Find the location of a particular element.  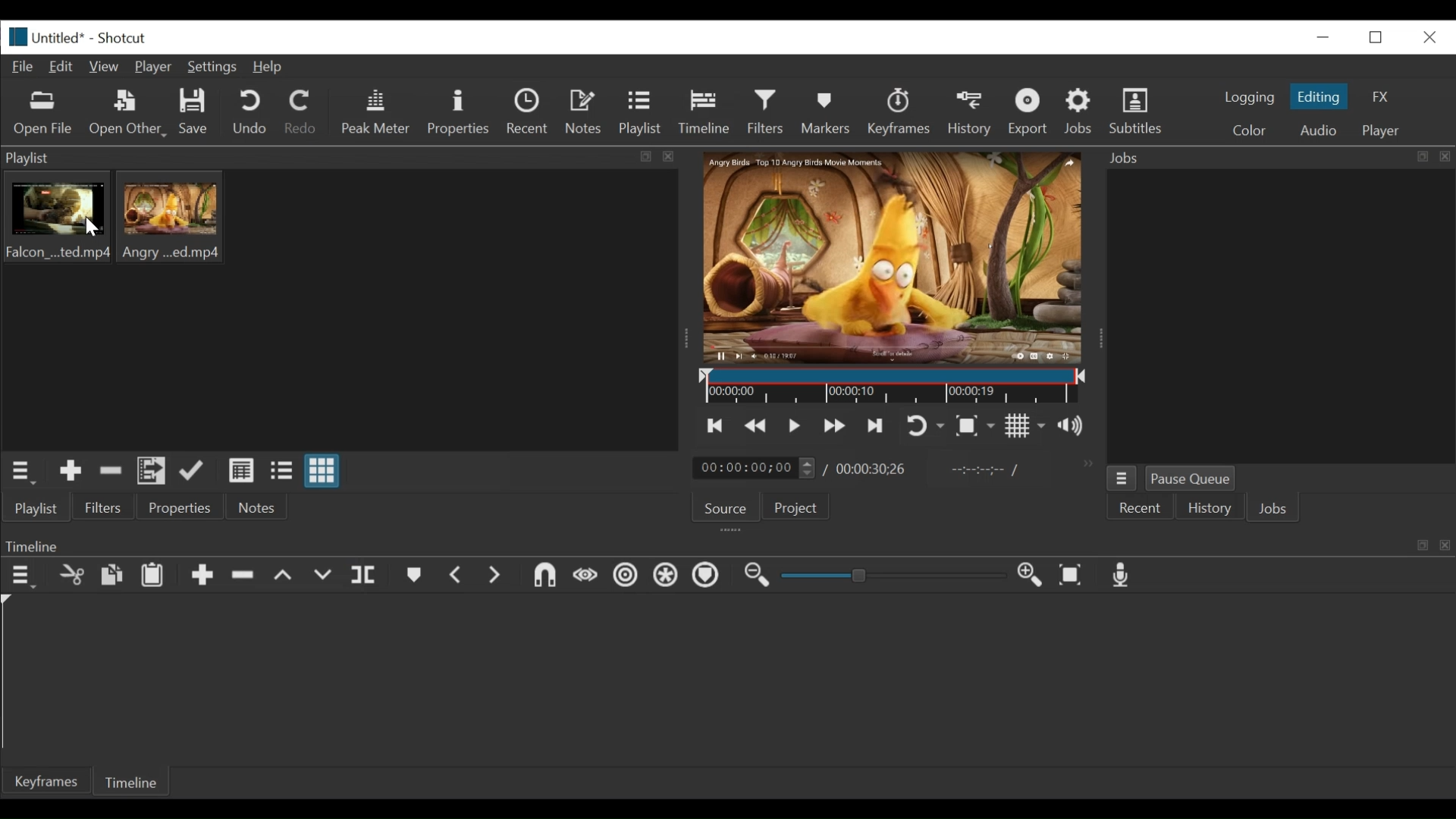

Remove cut is located at coordinates (111, 473).